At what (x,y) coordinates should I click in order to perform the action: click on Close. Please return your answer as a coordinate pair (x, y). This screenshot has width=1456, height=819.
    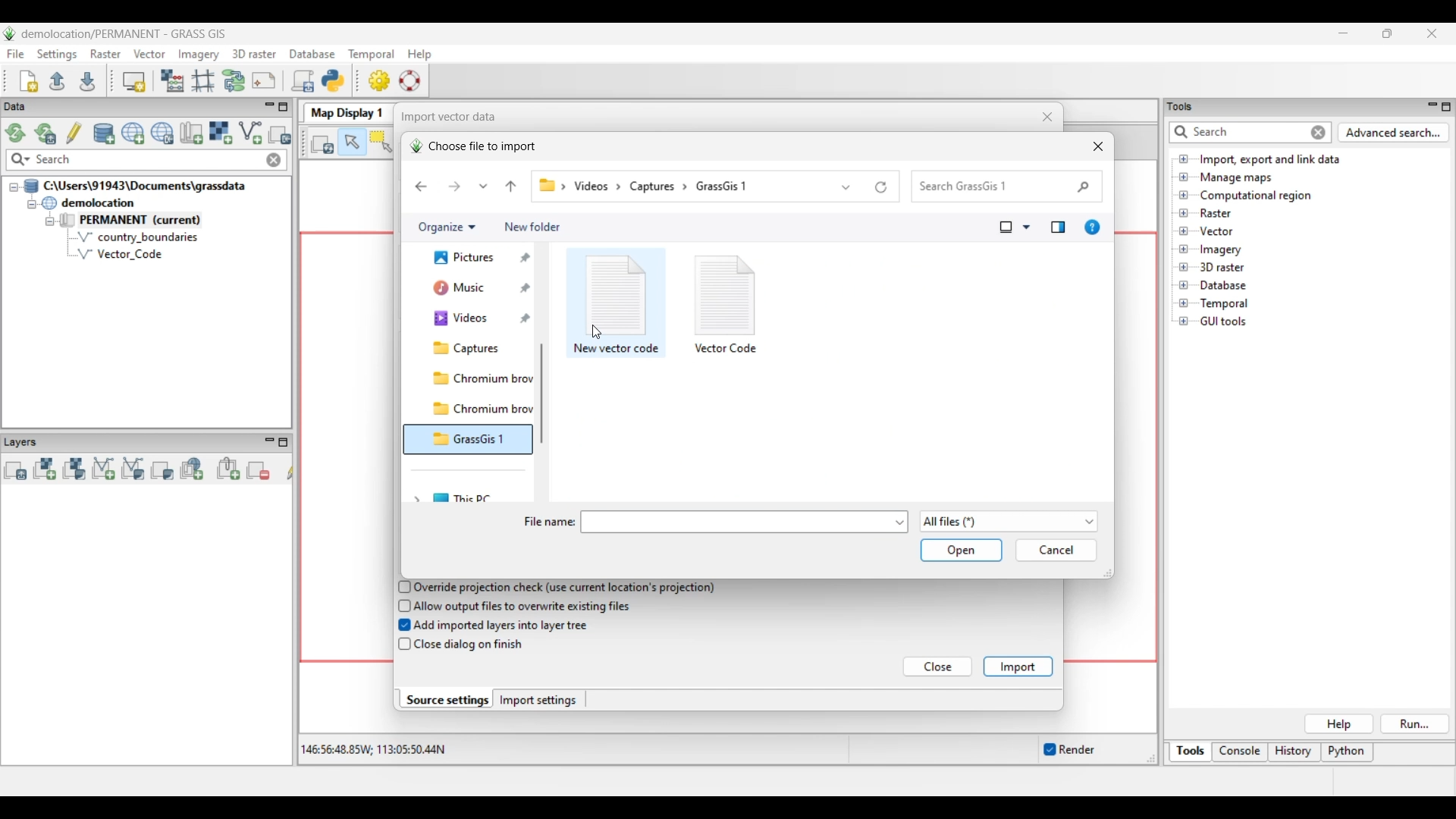
    Looking at the image, I should click on (939, 667).